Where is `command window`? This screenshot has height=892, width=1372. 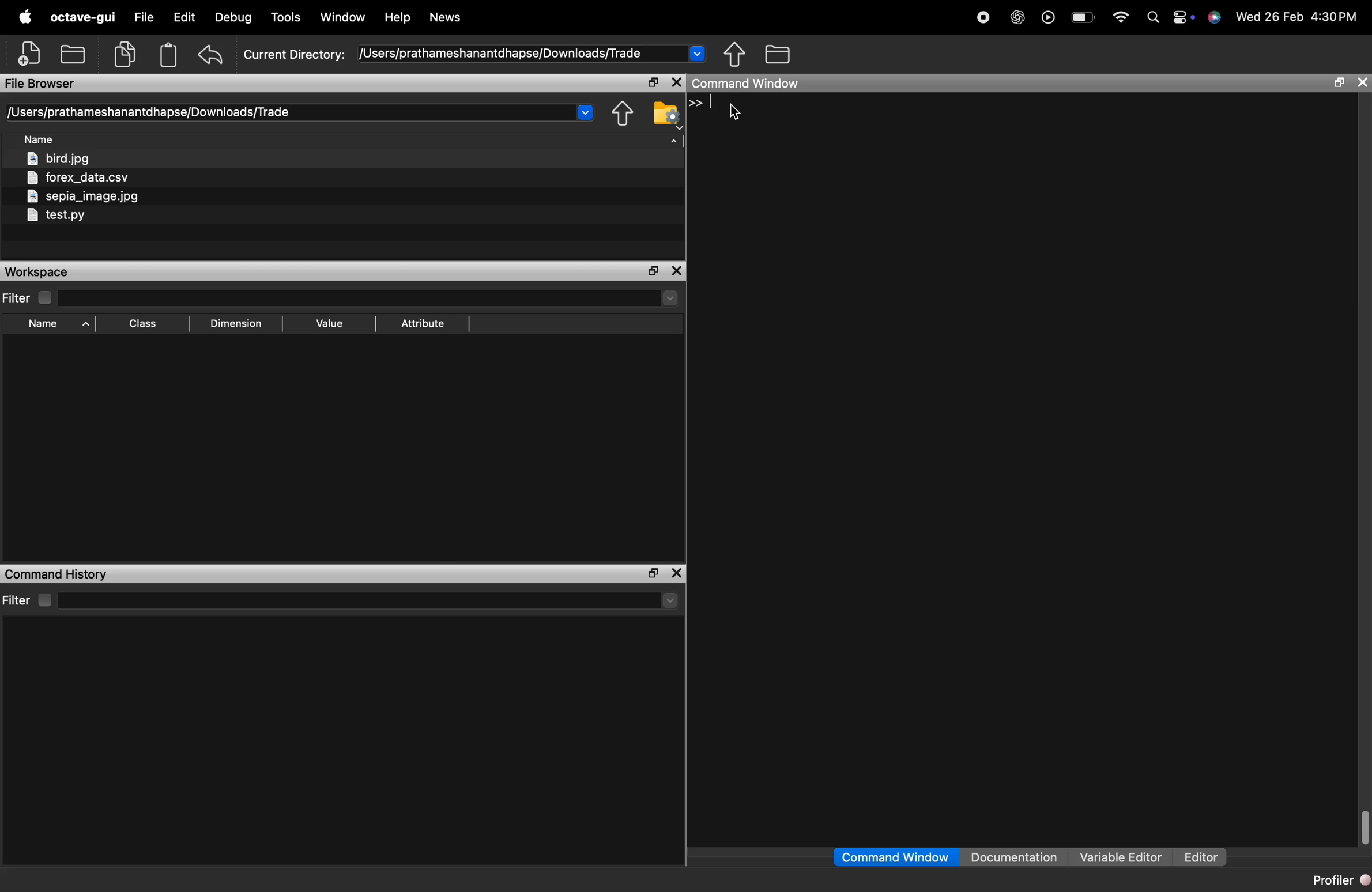 command window is located at coordinates (748, 82).